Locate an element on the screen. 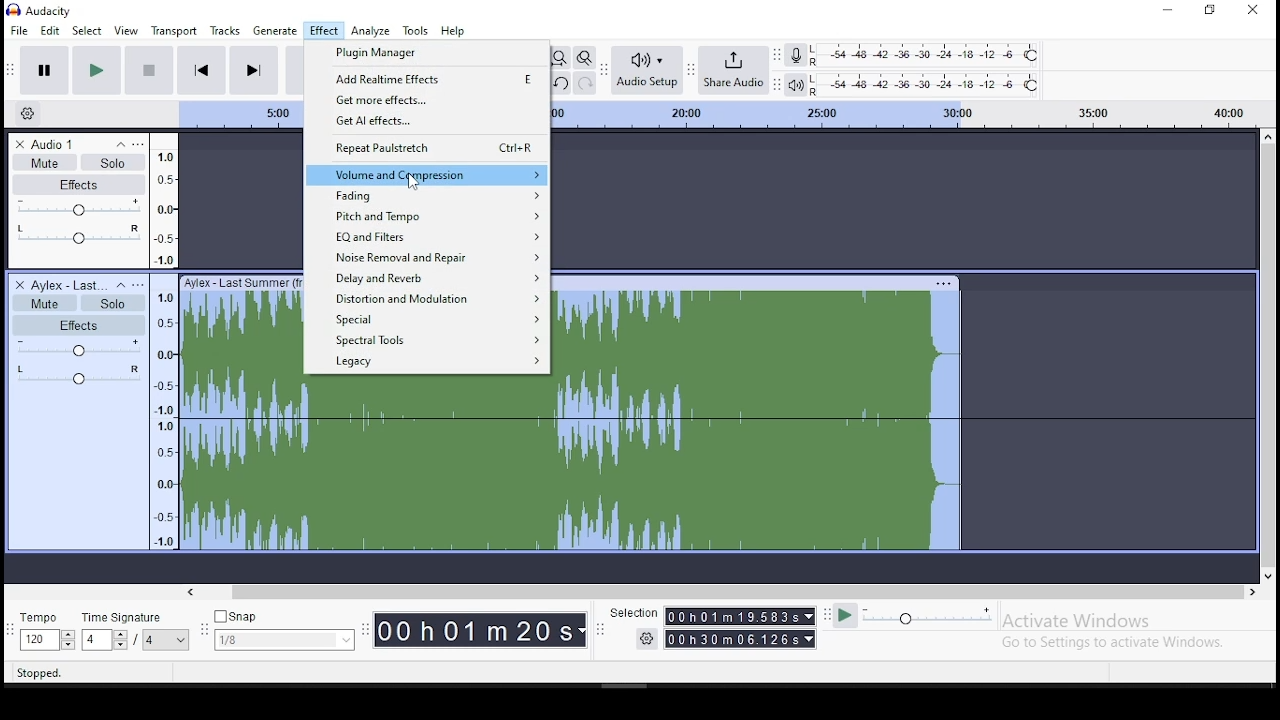  generate is located at coordinates (277, 31).